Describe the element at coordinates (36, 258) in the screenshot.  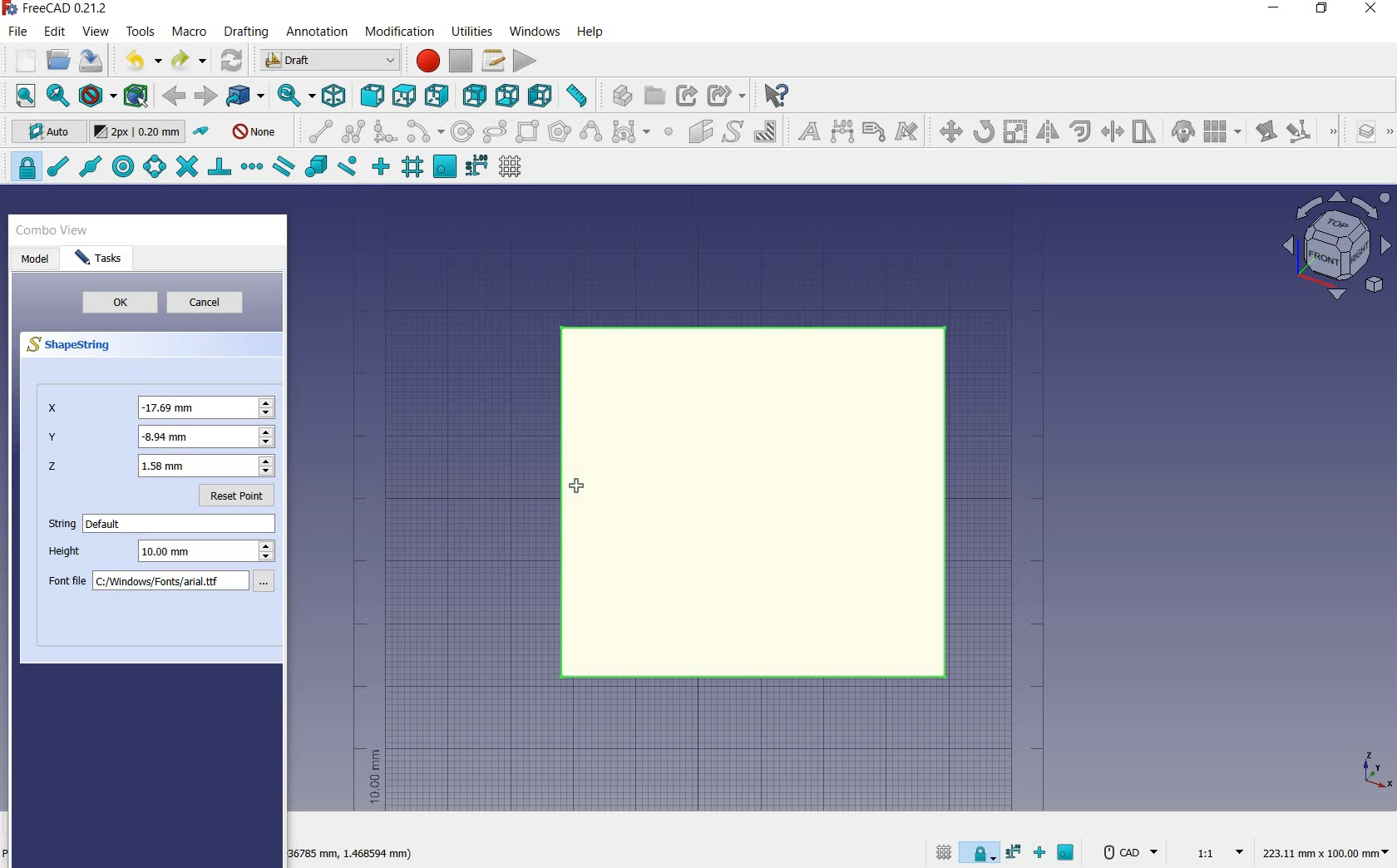
I see `model` at that location.